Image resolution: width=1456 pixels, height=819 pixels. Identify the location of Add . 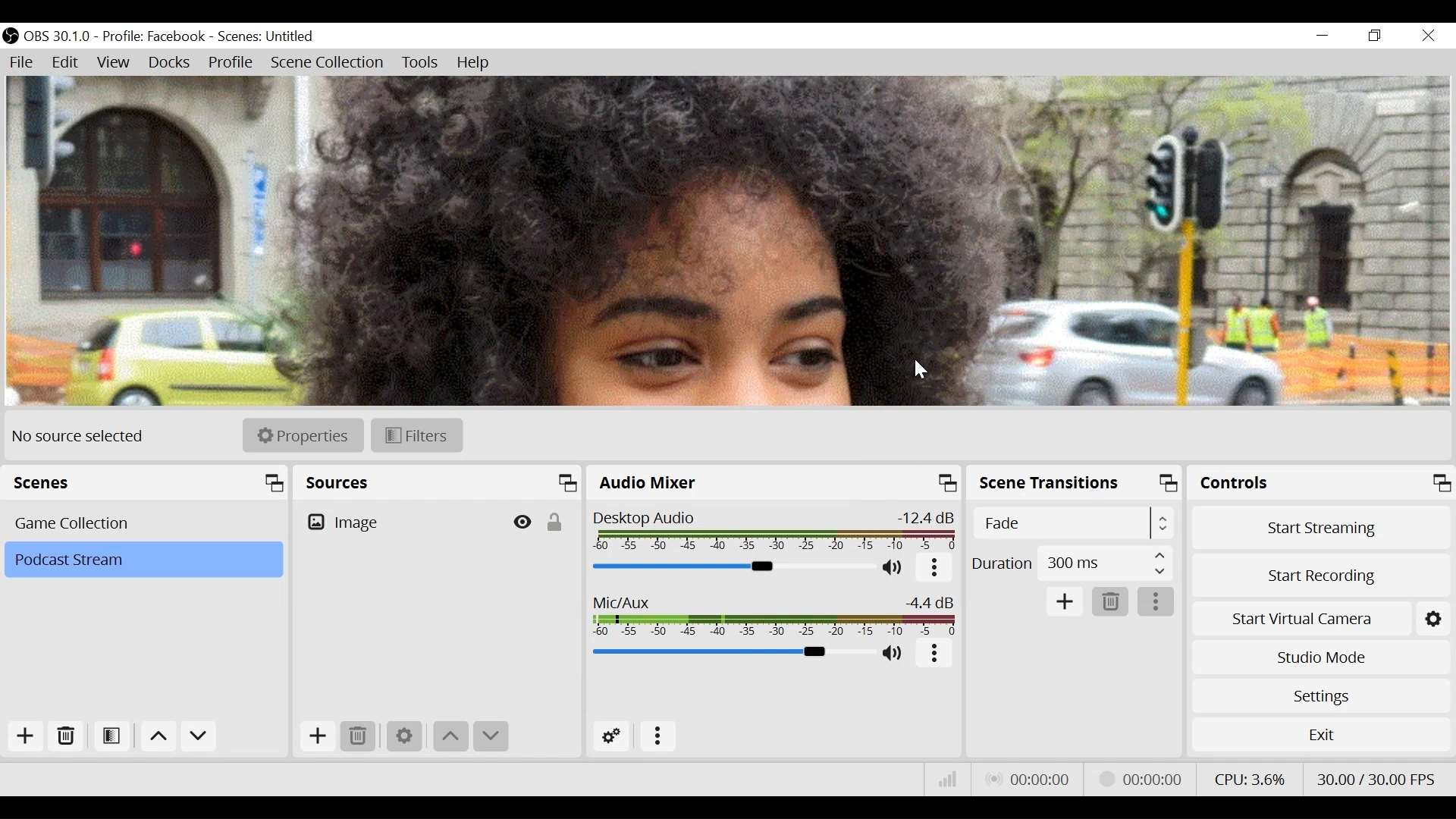
(1066, 601).